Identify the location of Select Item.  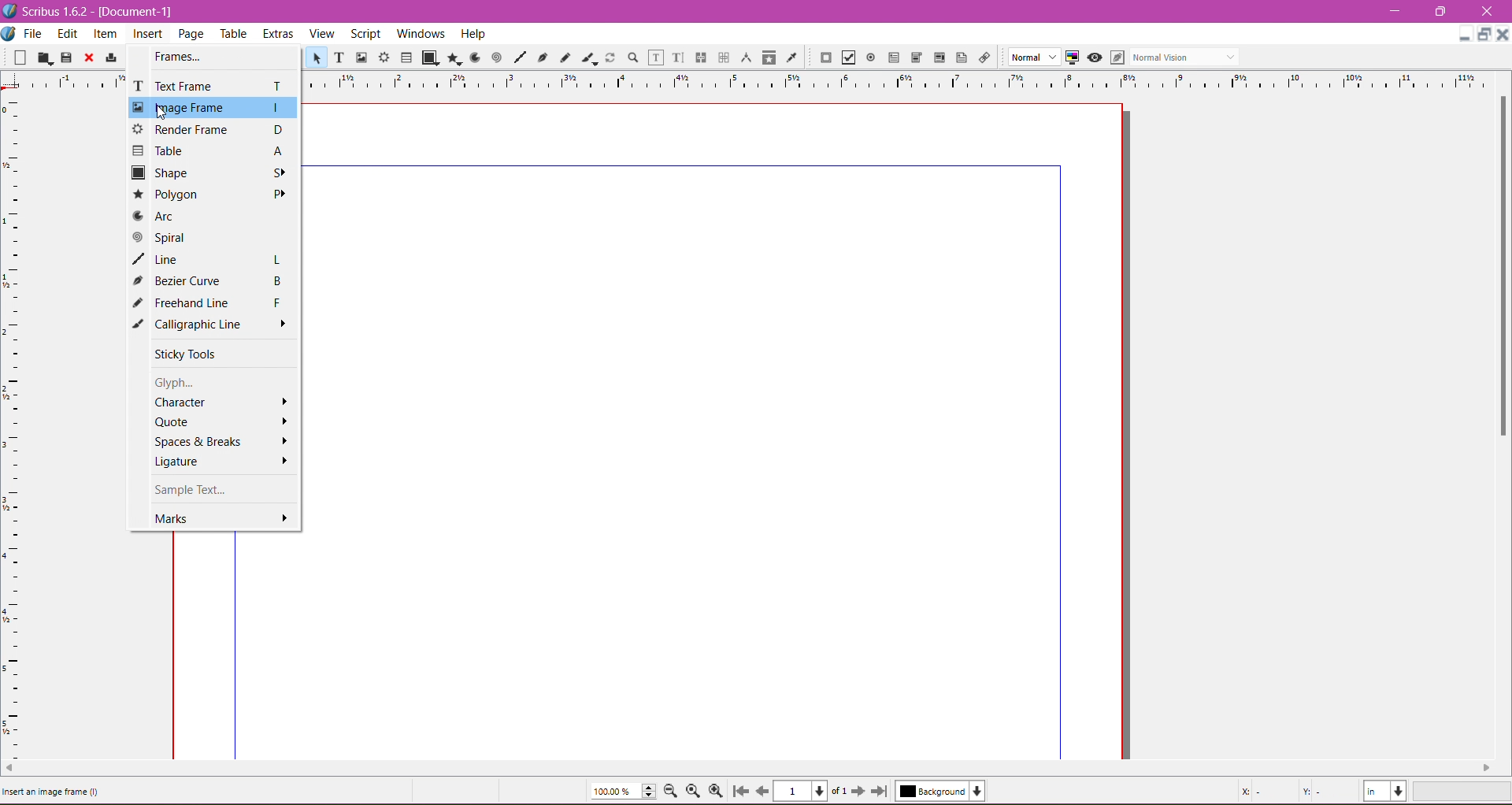
(314, 58).